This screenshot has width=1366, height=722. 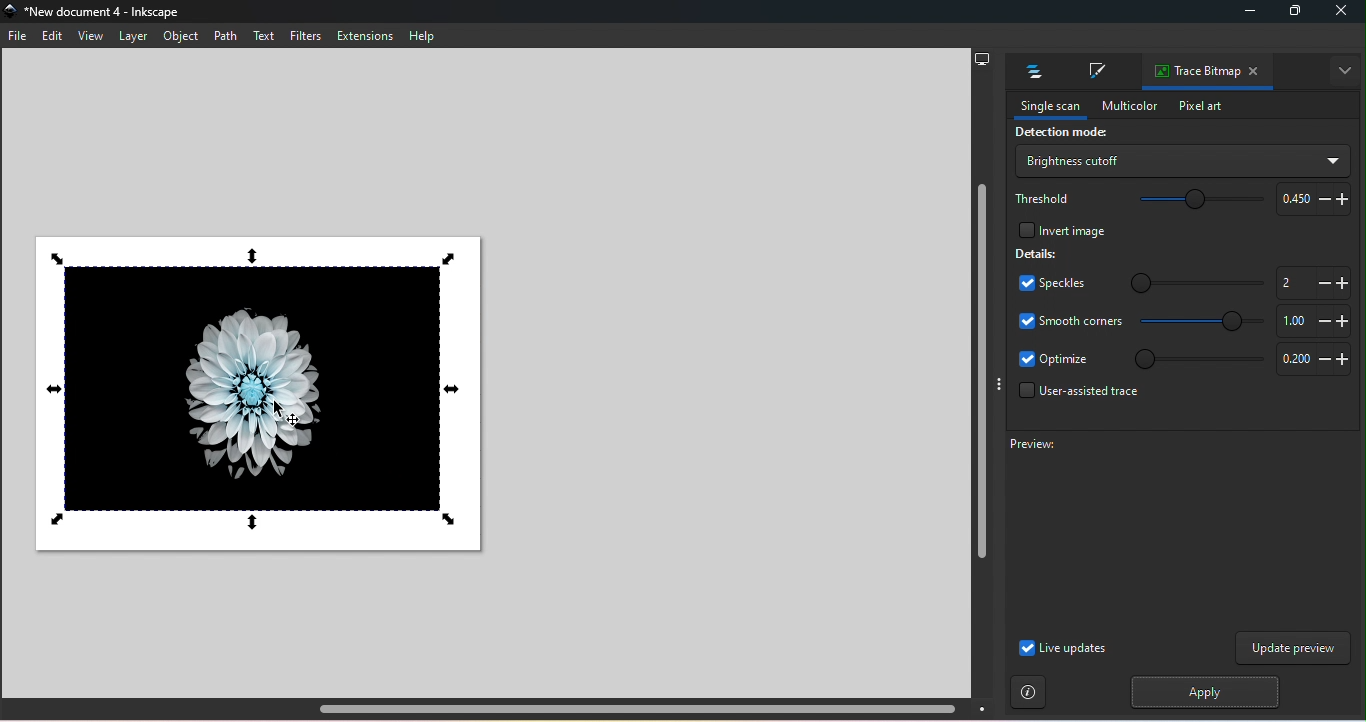 What do you see at coordinates (1310, 198) in the screenshot?
I see `Increase or decrease threshold` at bounding box center [1310, 198].